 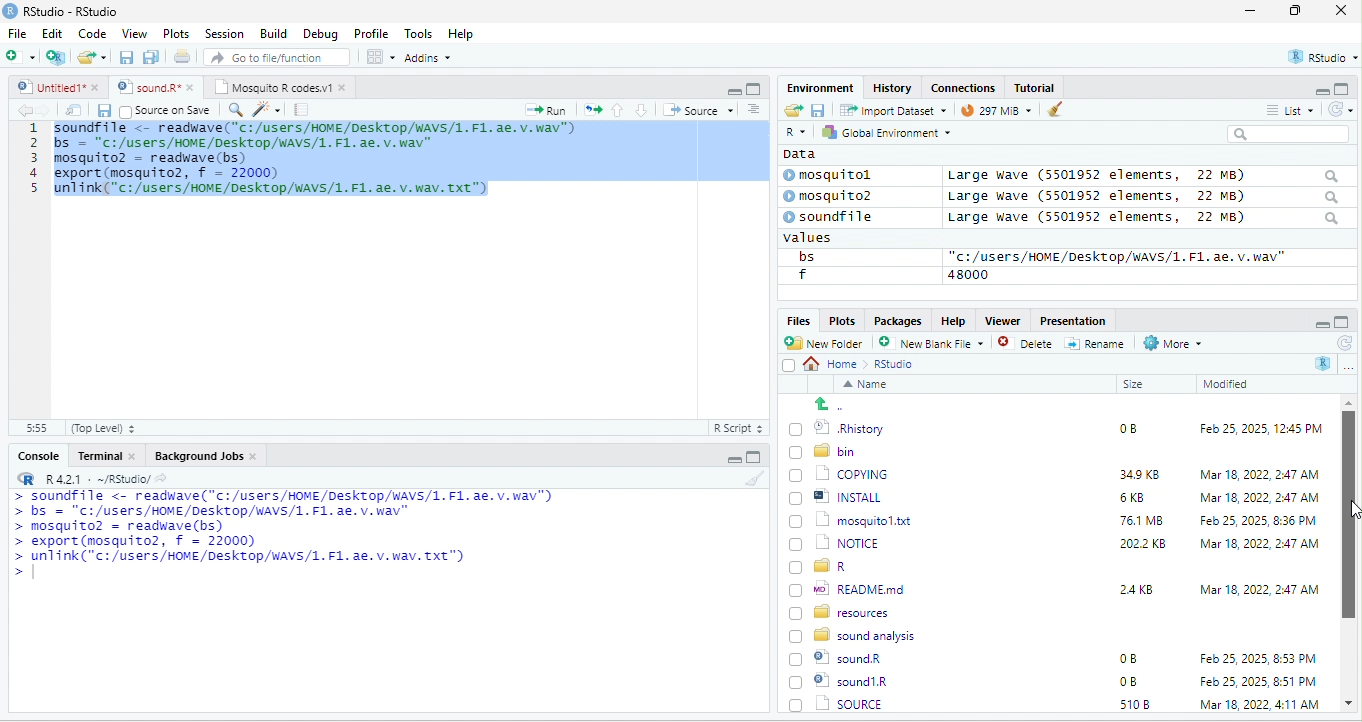 What do you see at coordinates (371, 34) in the screenshot?
I see `Profile` at bounding box center [371, 34].